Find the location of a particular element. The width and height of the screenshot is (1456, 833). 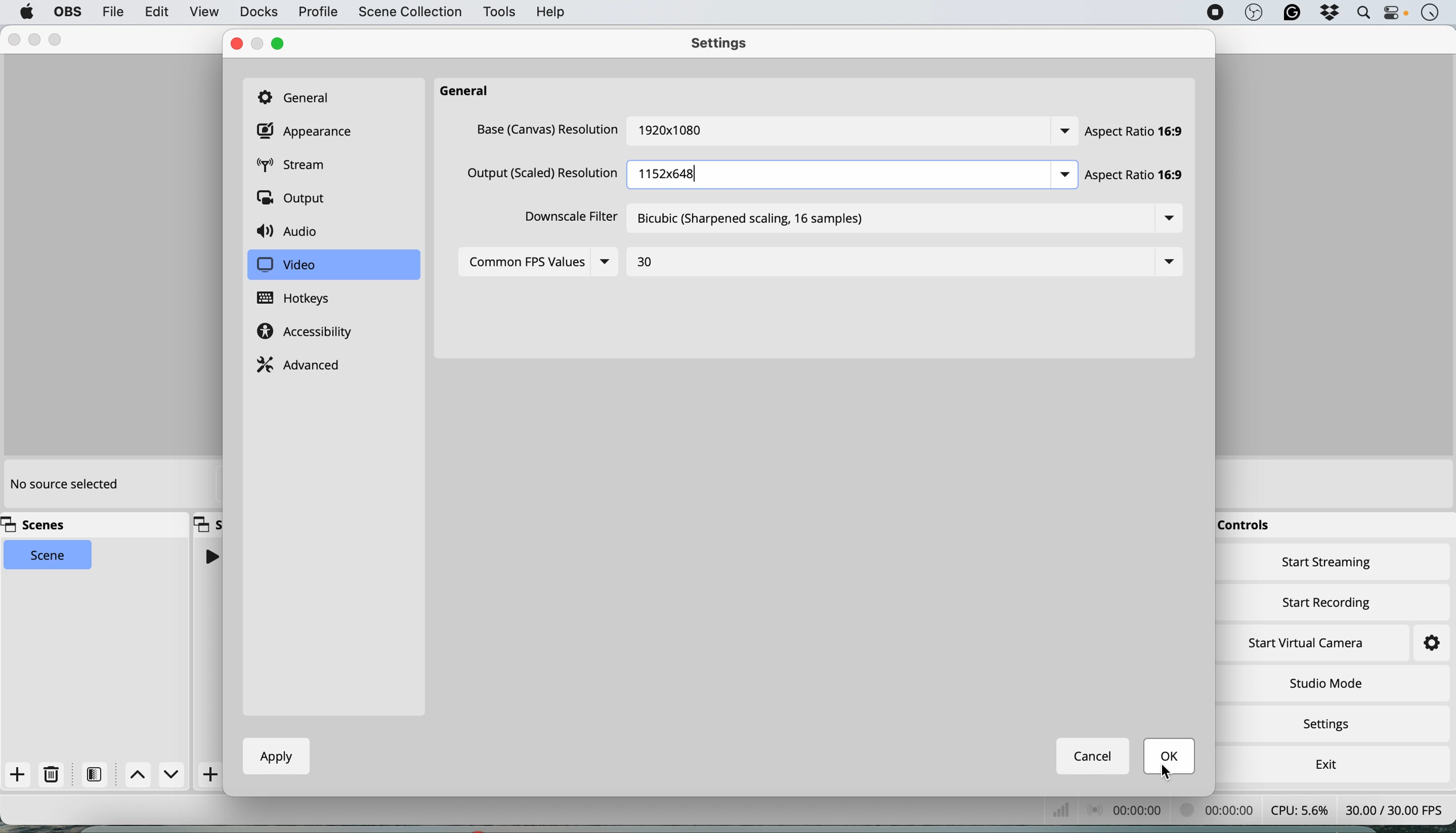

file is located at coordinates (112, 11).